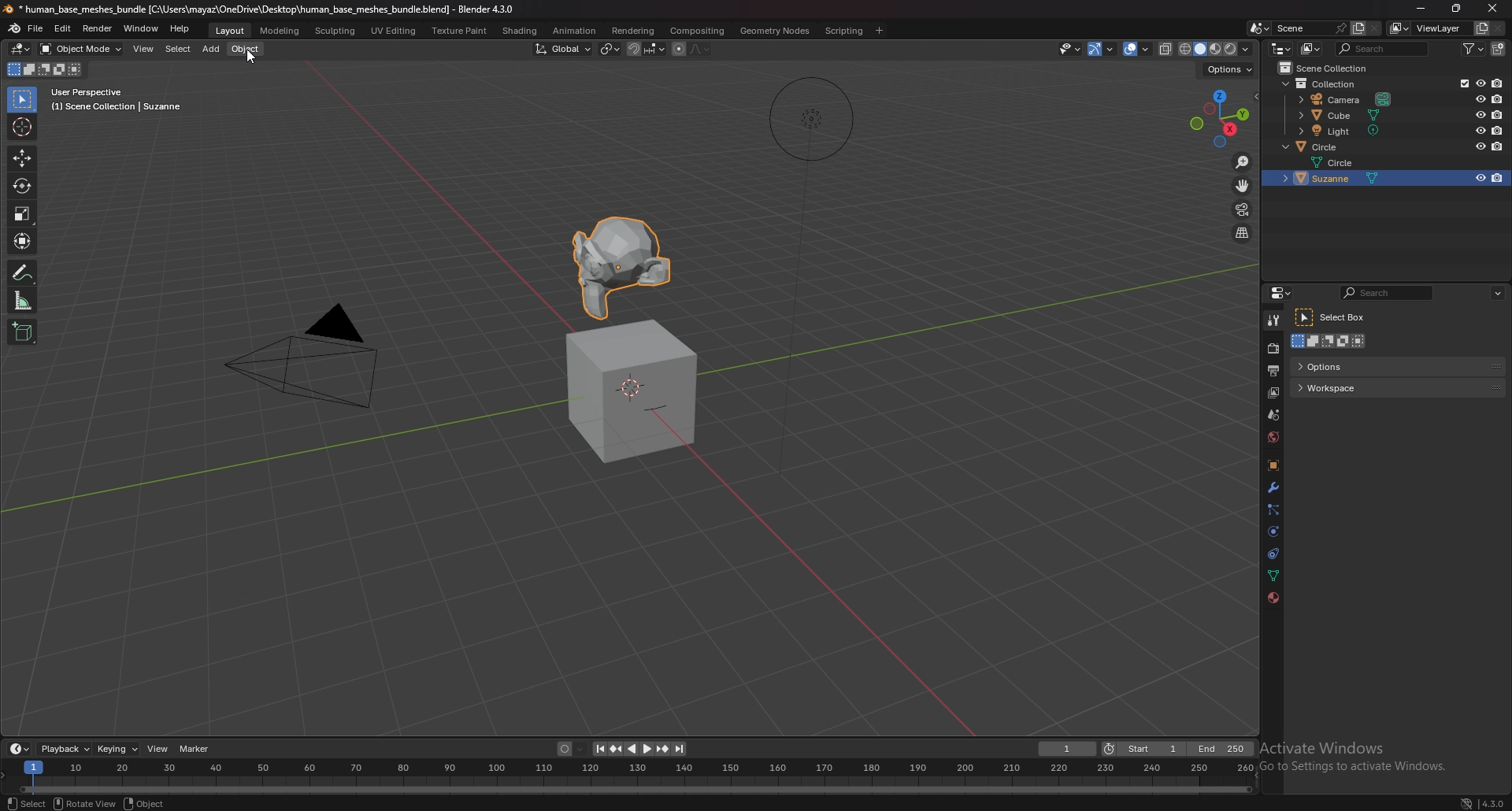 The width and height of the screenshot is (1512, 811). I want to click on hide in viewport, so click(1480, 145).